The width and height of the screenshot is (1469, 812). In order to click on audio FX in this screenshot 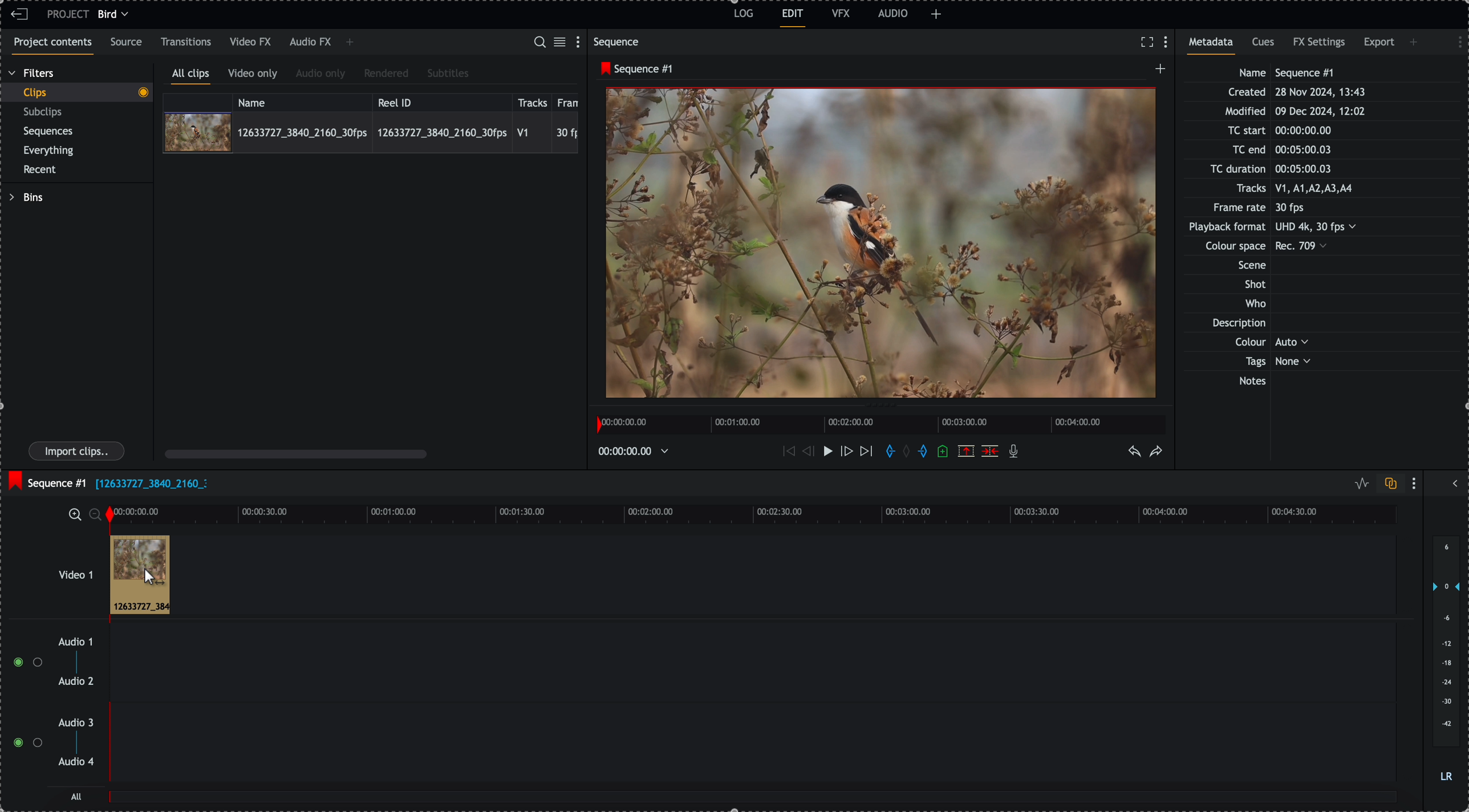, I will do `click(310, 43)`.